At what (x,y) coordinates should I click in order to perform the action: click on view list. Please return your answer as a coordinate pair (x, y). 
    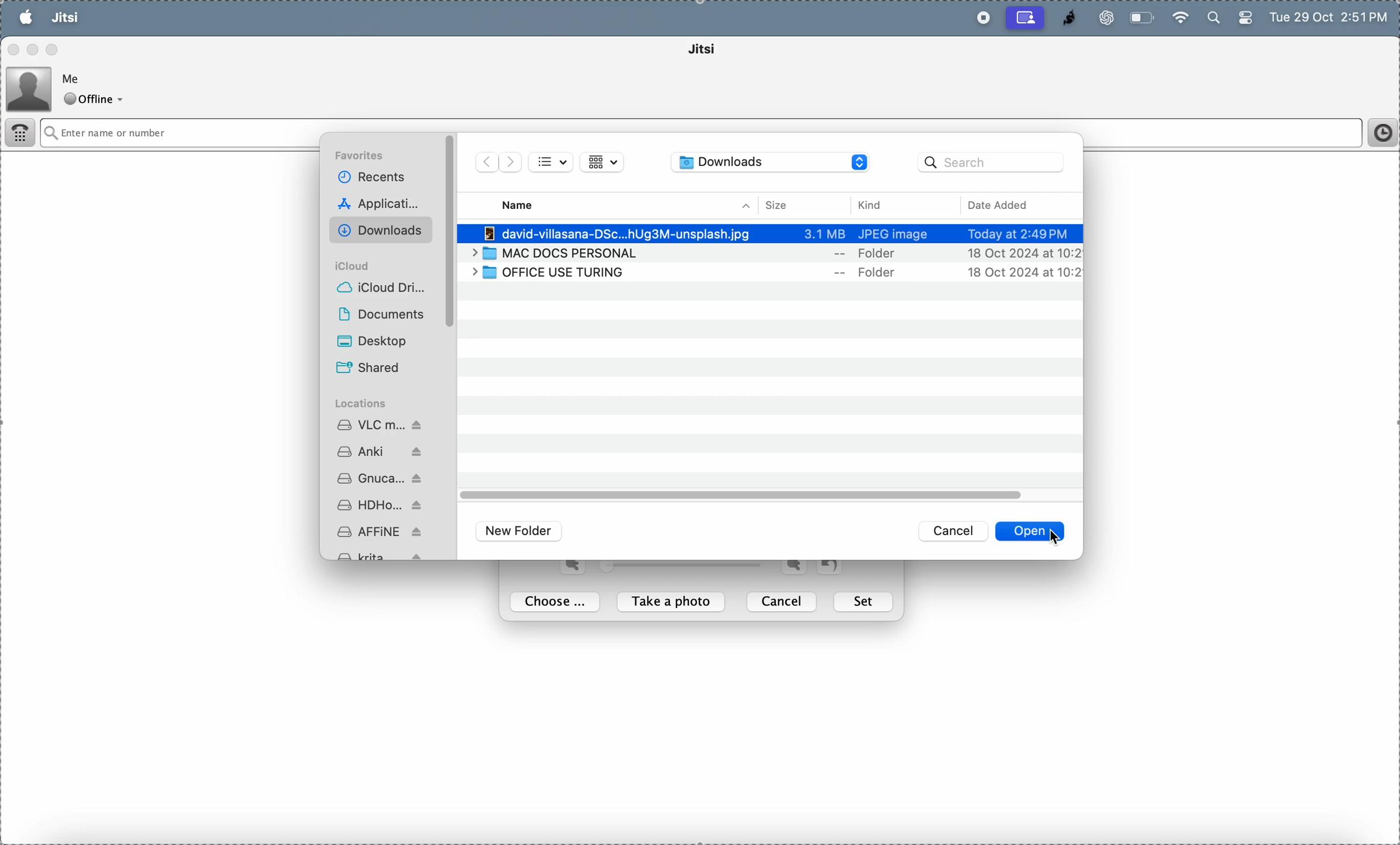
    Looking at the image, I should click on (601, 162).